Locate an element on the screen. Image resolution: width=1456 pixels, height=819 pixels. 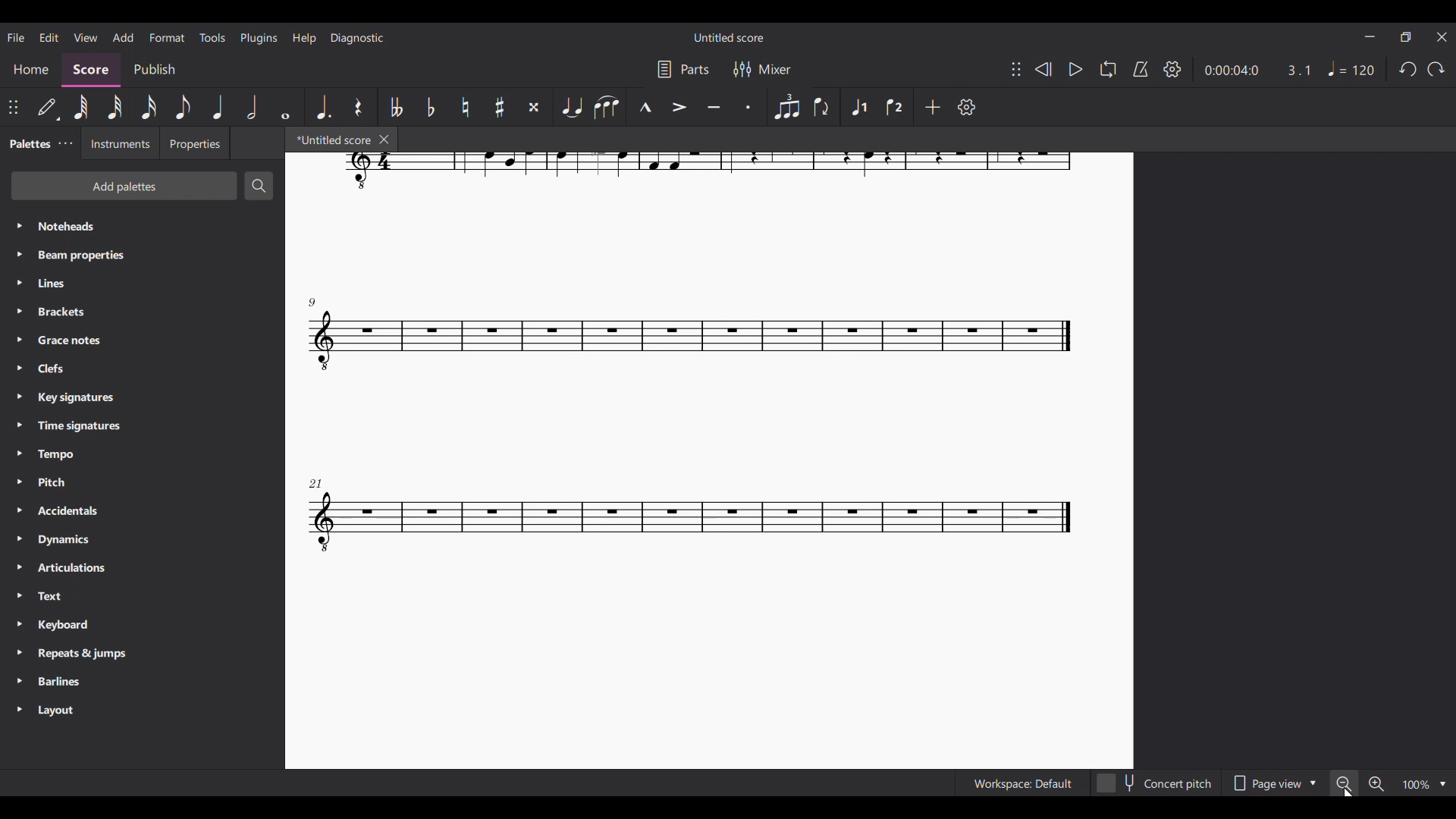
Undo is located at coordinates (1408, 69).